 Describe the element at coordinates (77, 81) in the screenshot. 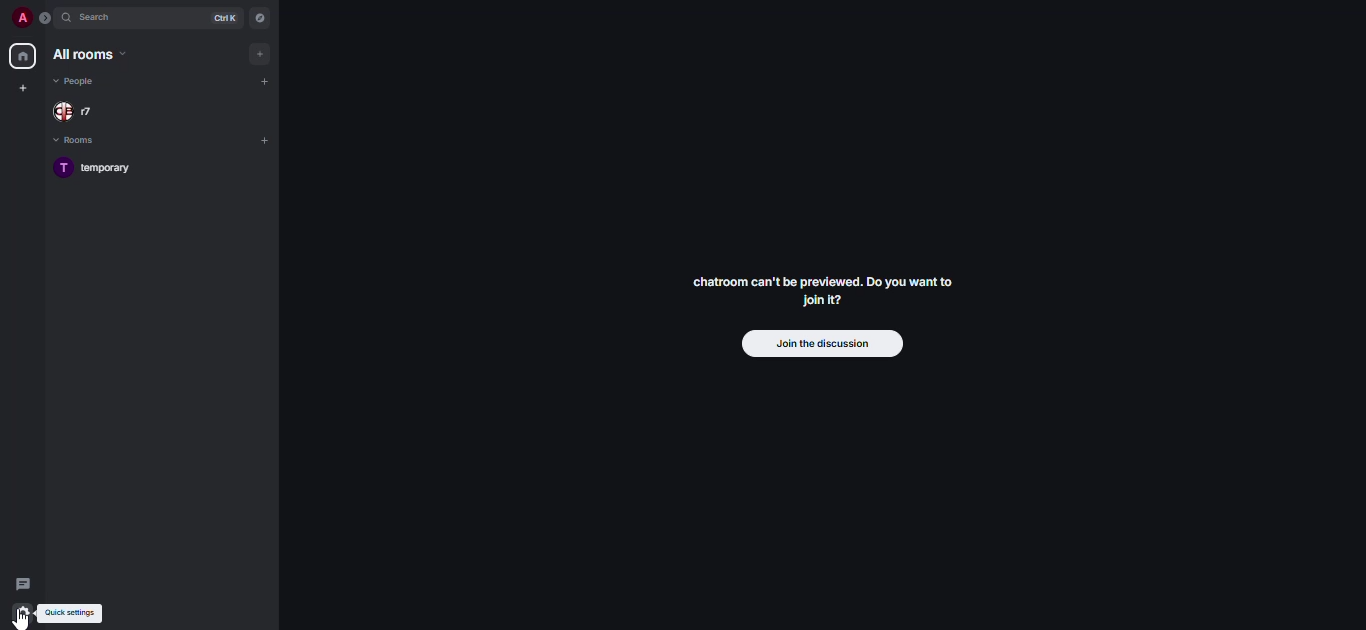

I see `people` at that location.